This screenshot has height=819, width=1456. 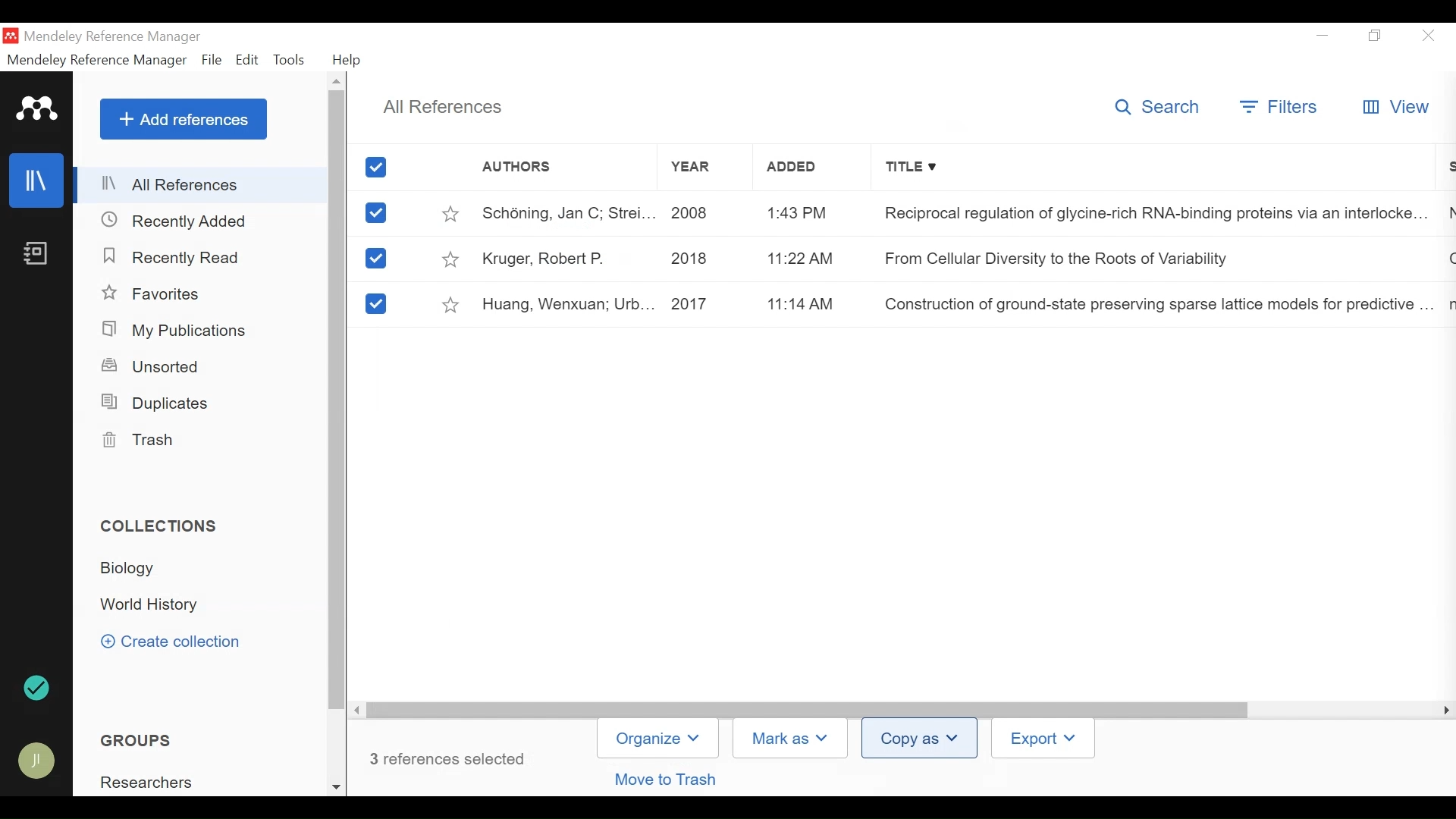 I want to click on Favorites, so click(x=155, y=293).